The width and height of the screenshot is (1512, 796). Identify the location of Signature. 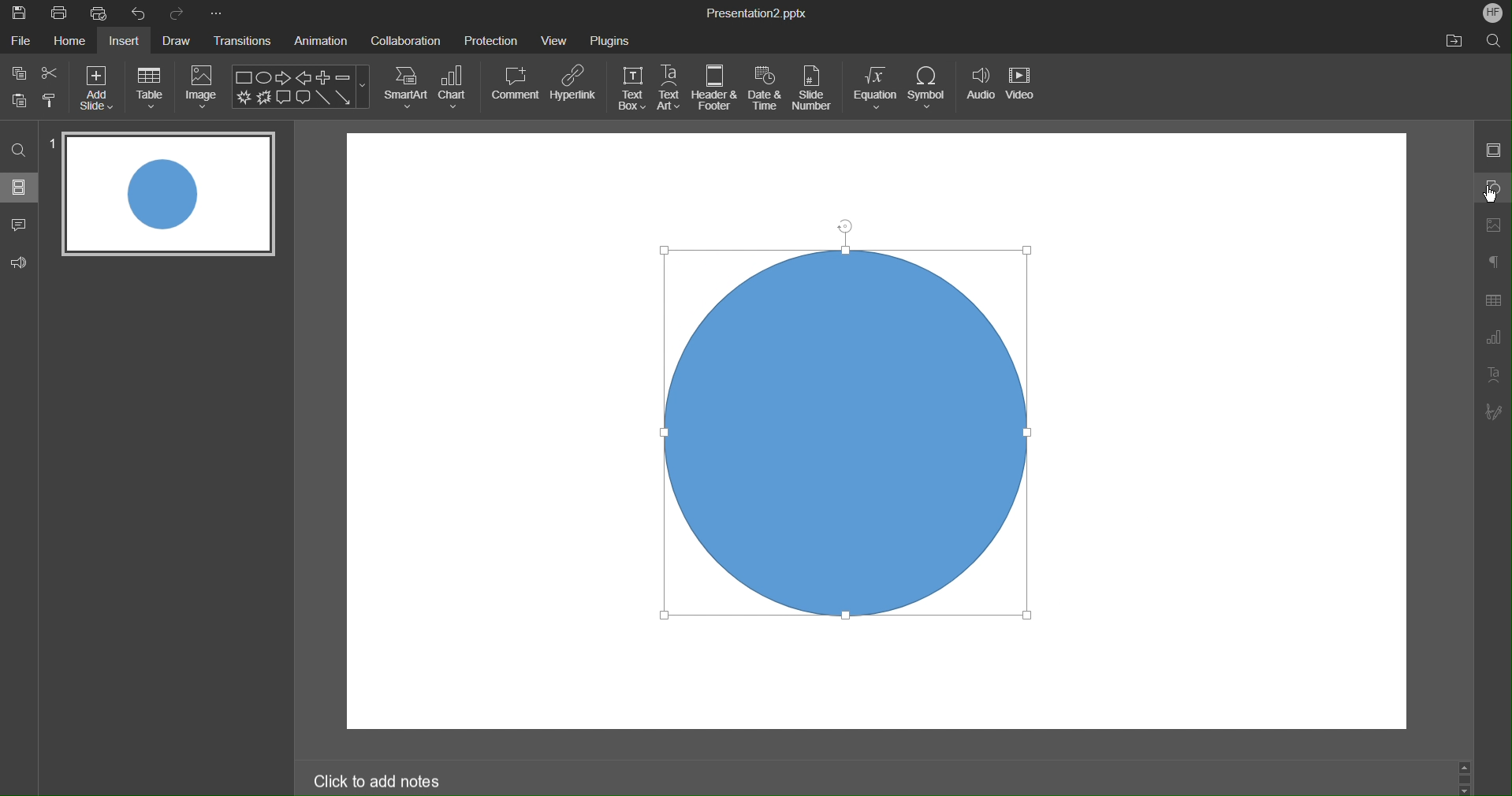
(1494, 413).